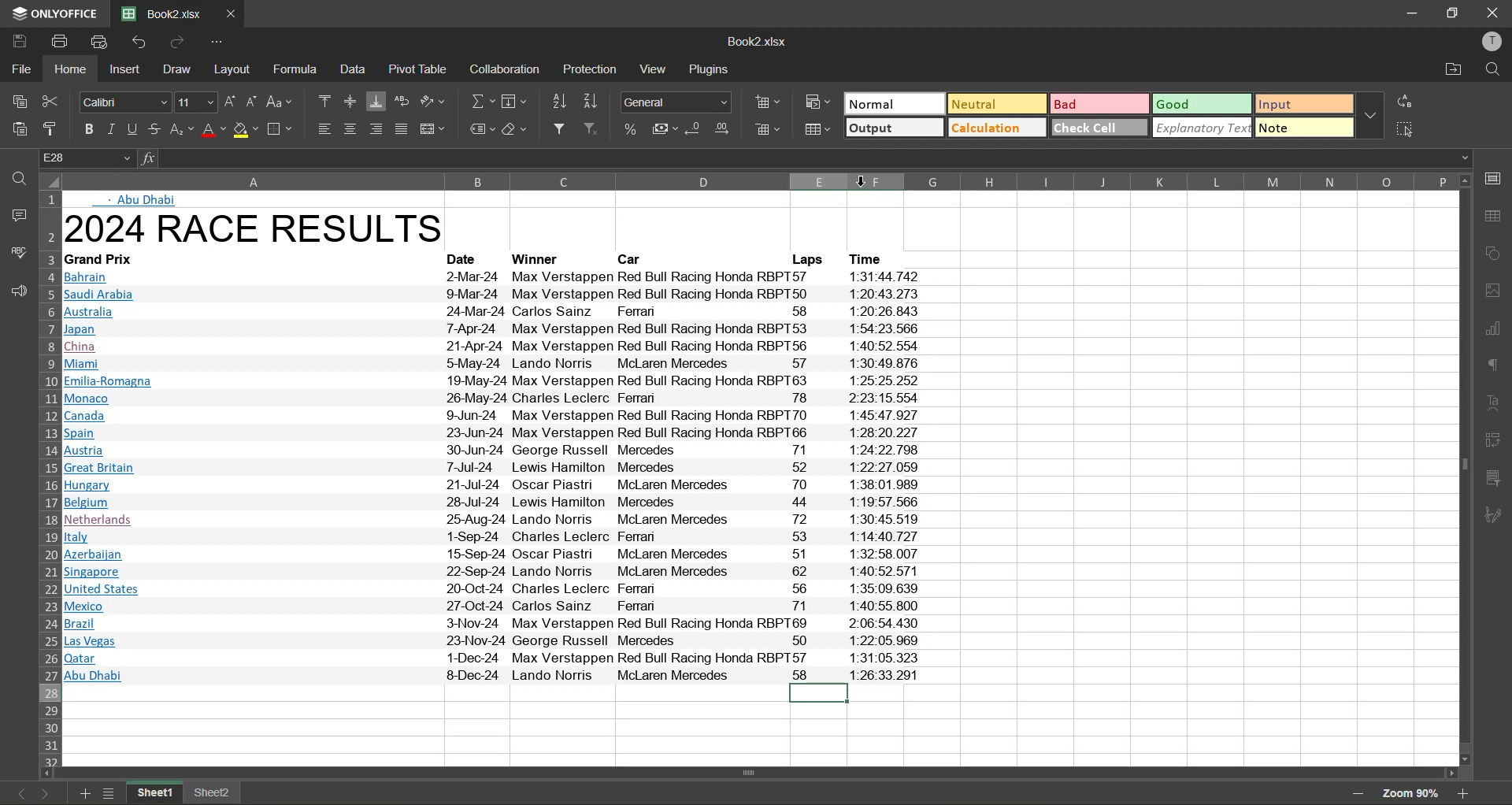  I want to click on output, so click(894, 127).